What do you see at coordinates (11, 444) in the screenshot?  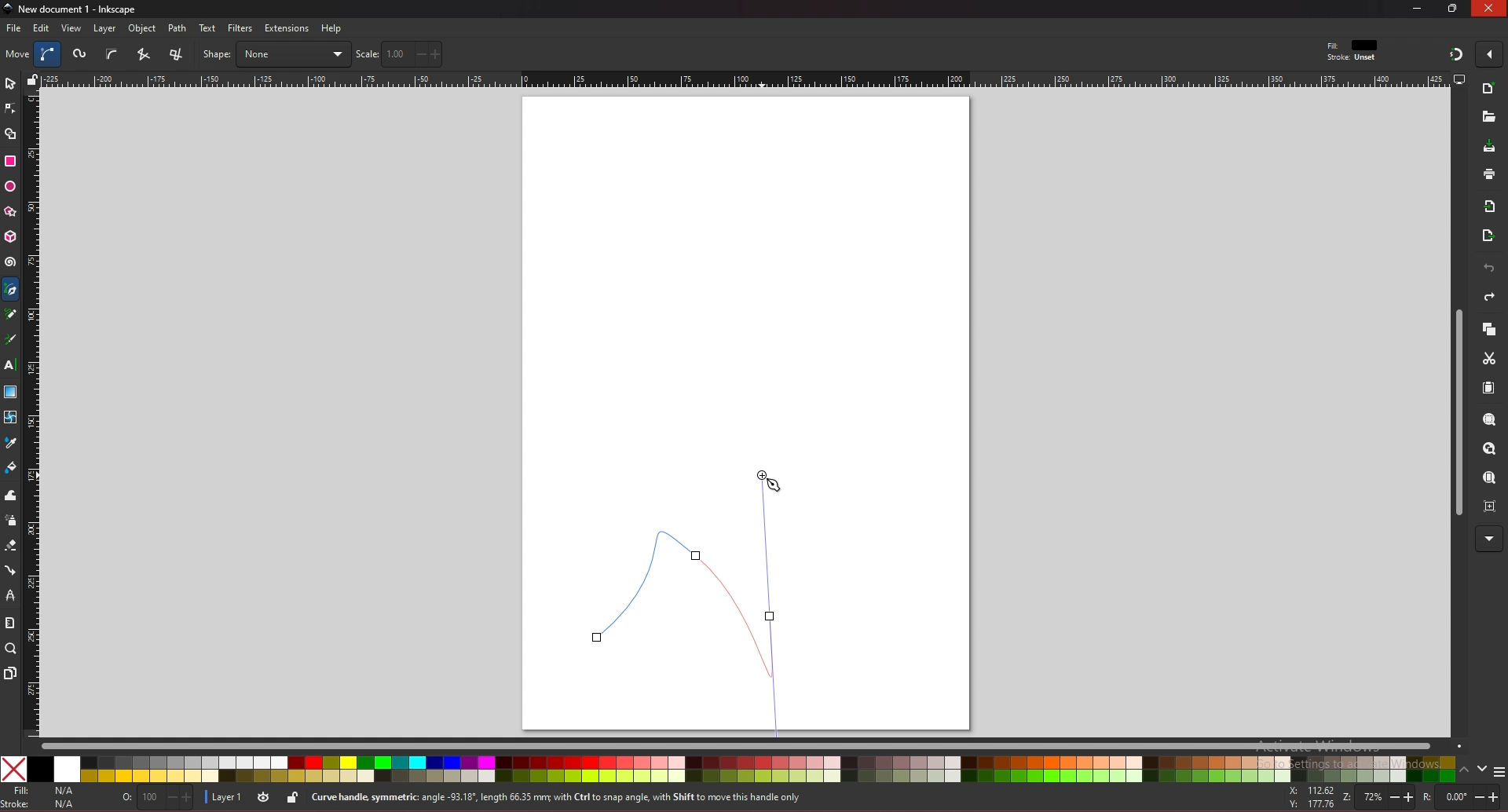 I see `dropper` at bounding box center [11, 444].